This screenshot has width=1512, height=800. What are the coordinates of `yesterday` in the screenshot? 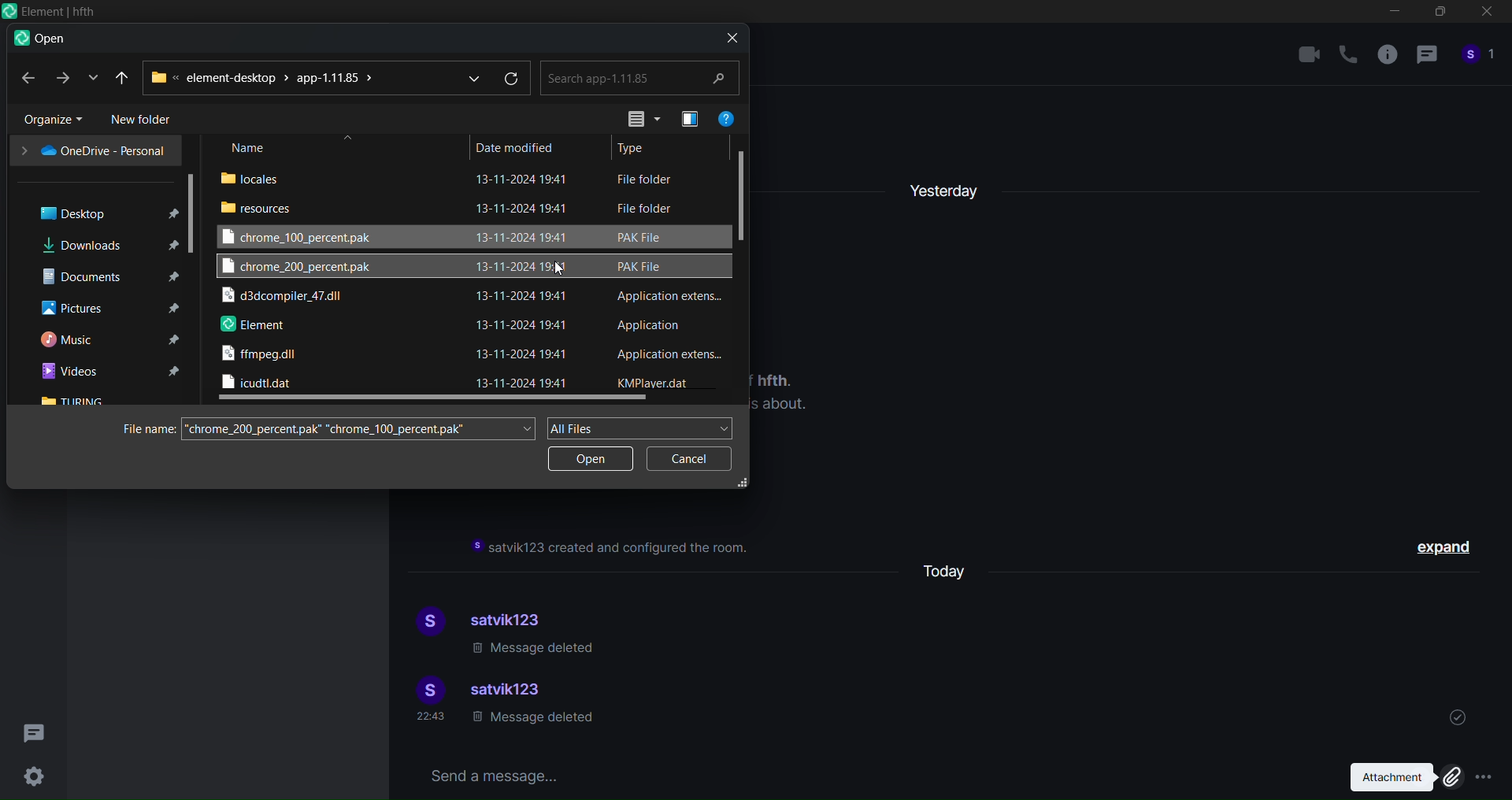 It's located at (946, 186).